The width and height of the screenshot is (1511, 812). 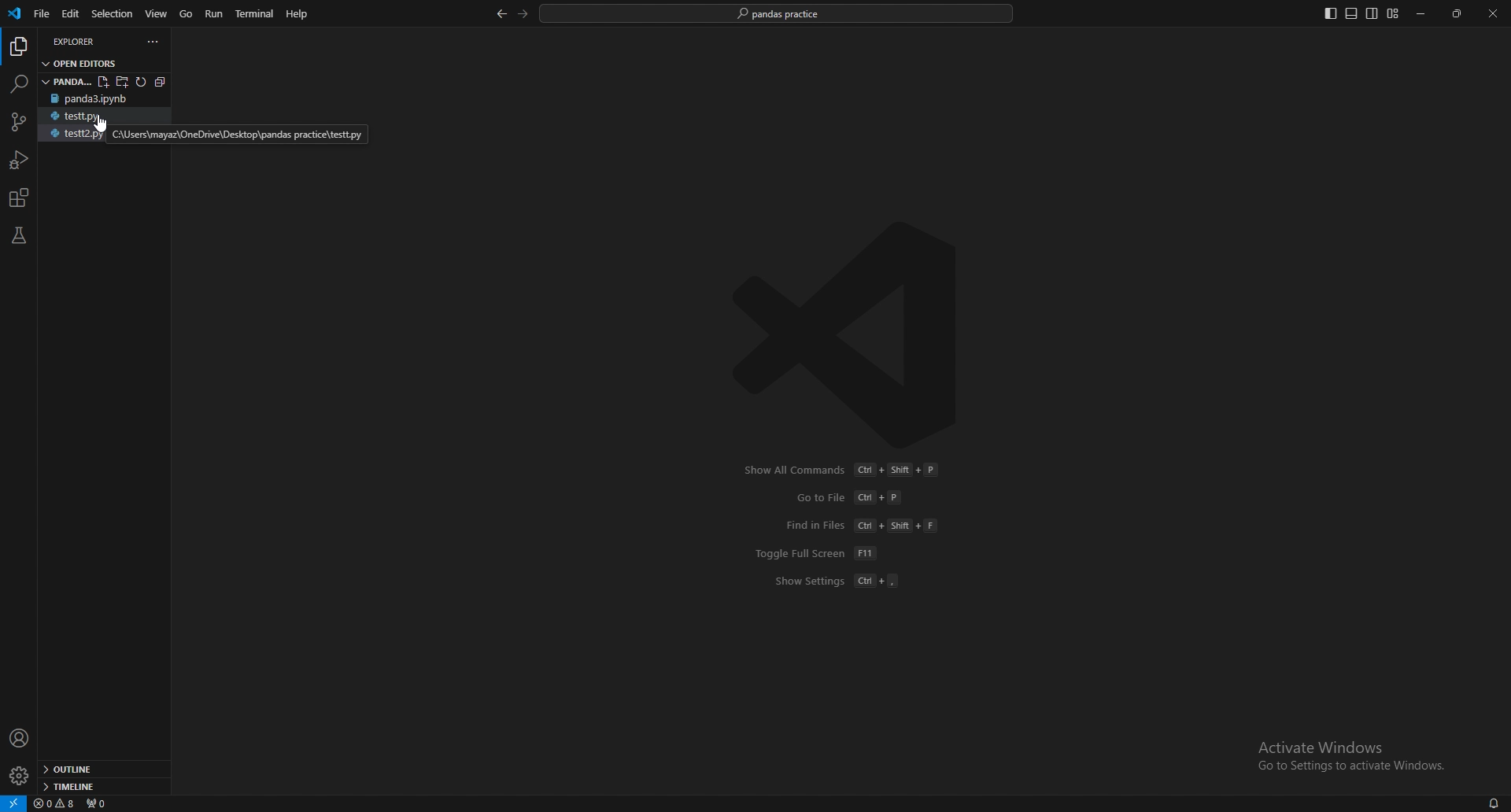 I want to click on back, so click(x=501, y=15).